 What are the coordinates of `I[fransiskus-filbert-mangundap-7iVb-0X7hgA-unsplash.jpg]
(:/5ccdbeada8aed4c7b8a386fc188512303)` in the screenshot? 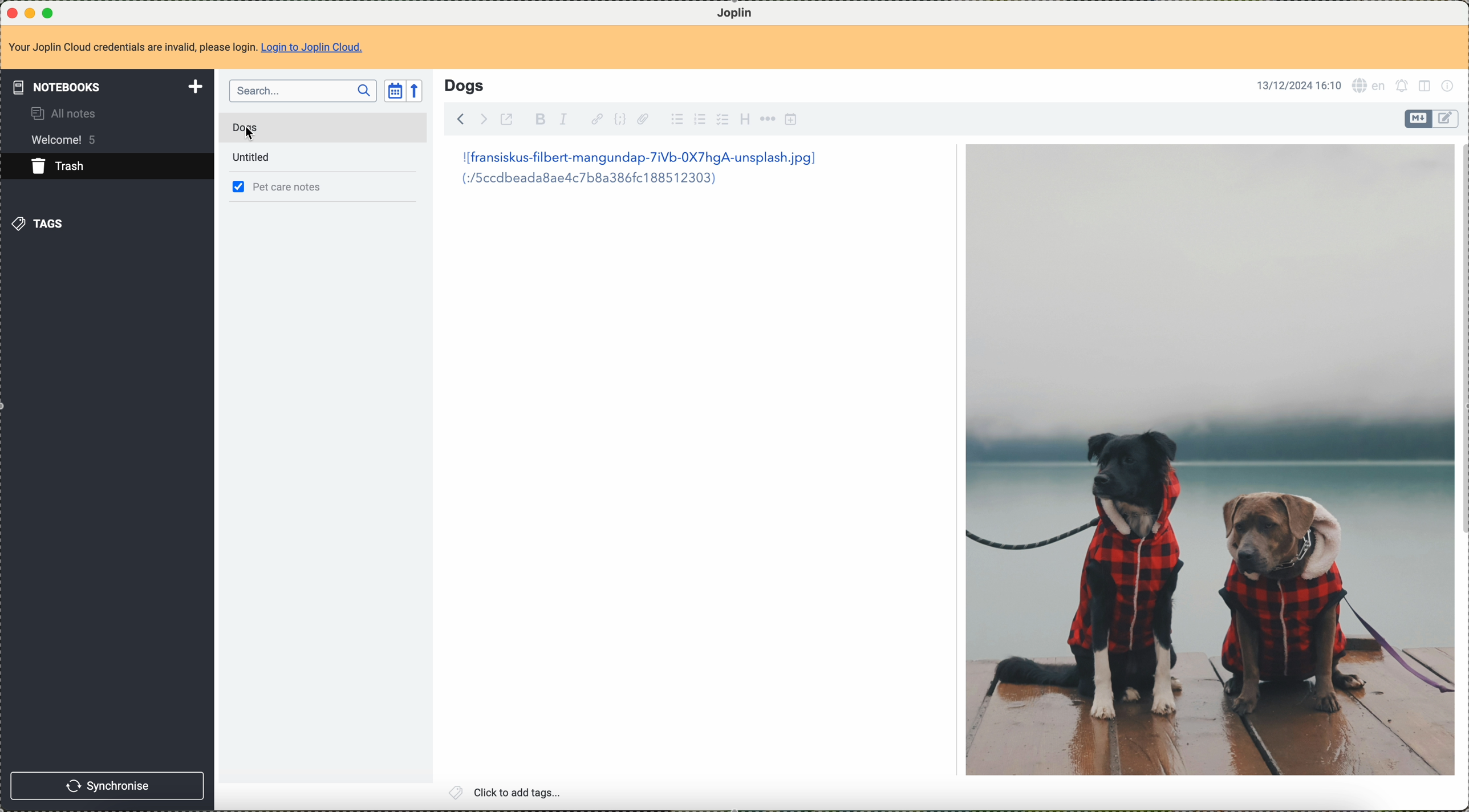 It's located at (635, 169).